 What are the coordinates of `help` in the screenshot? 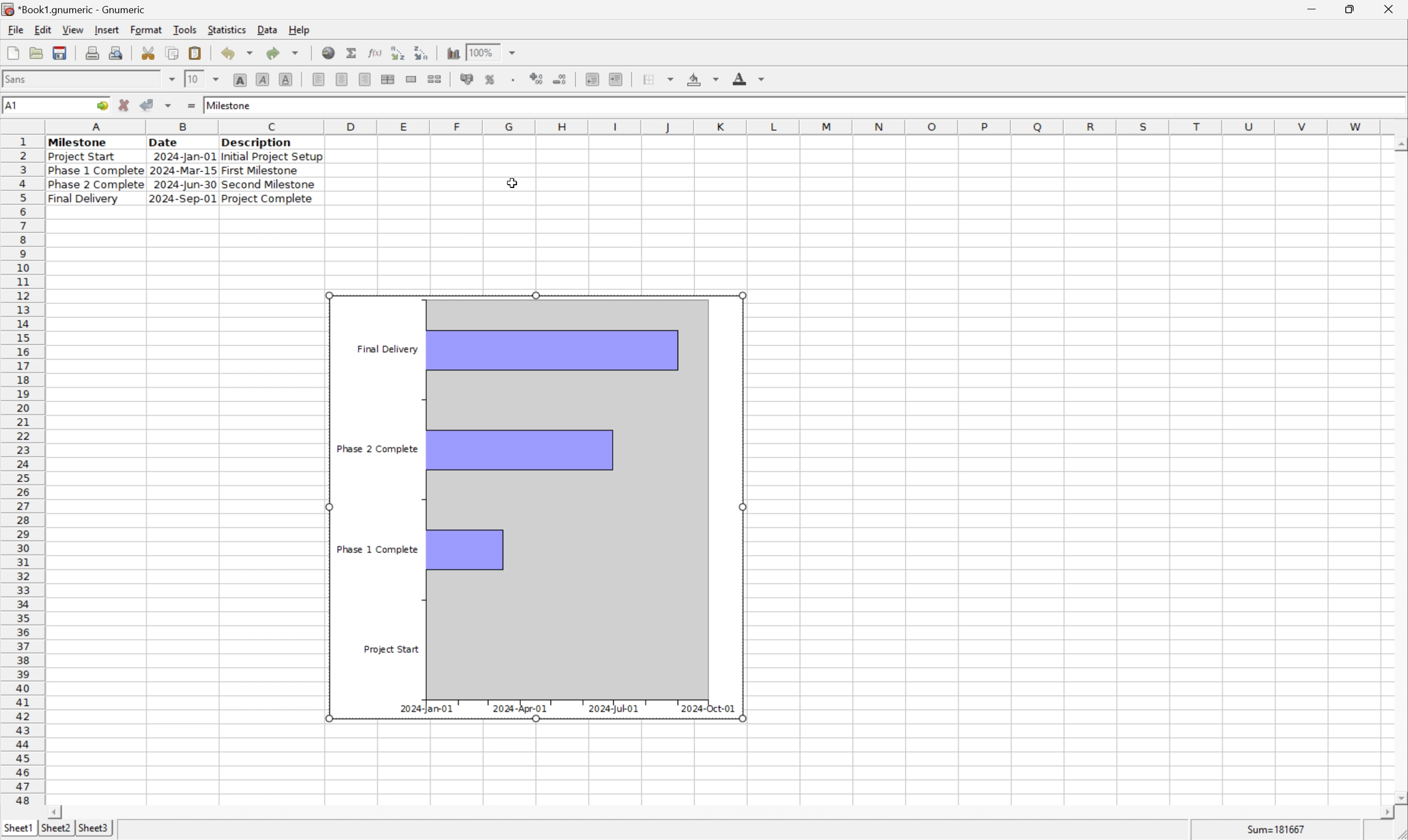 It's located at (299, 28).